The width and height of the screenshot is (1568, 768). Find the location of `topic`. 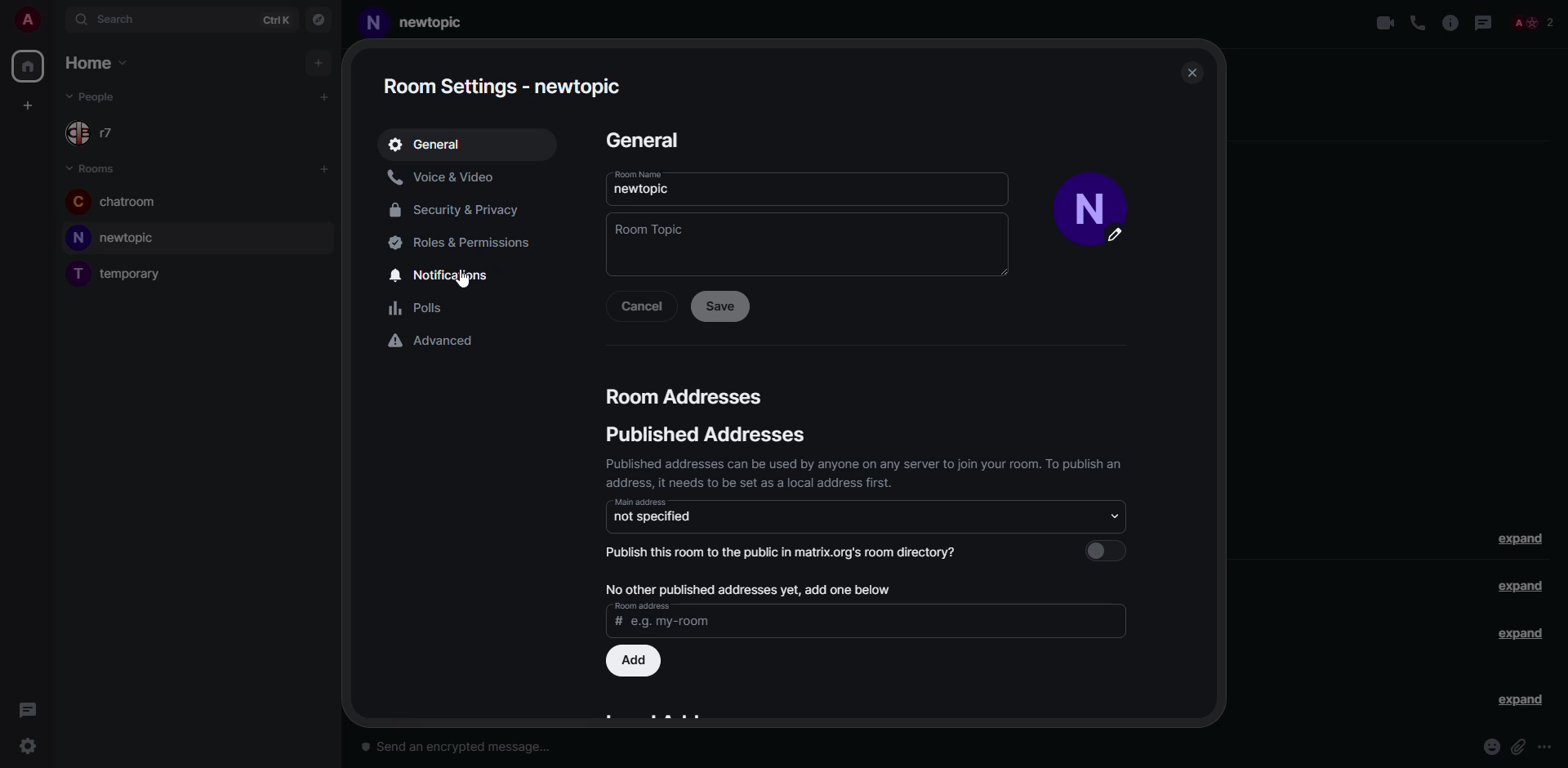

topic is located at coordinates (660, 233).